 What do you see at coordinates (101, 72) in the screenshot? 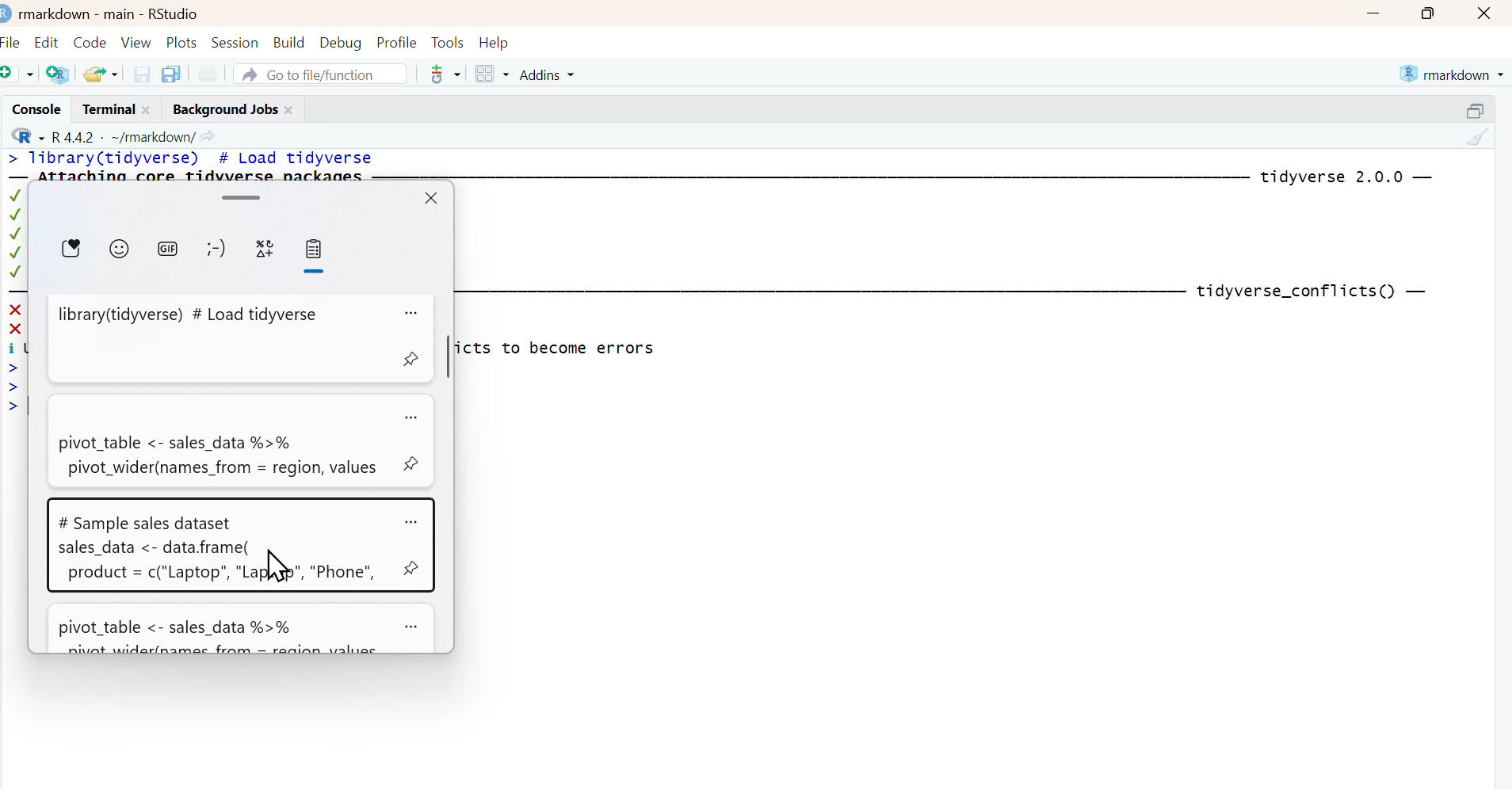
I see `open recent files` at bounding box center [101, 72].